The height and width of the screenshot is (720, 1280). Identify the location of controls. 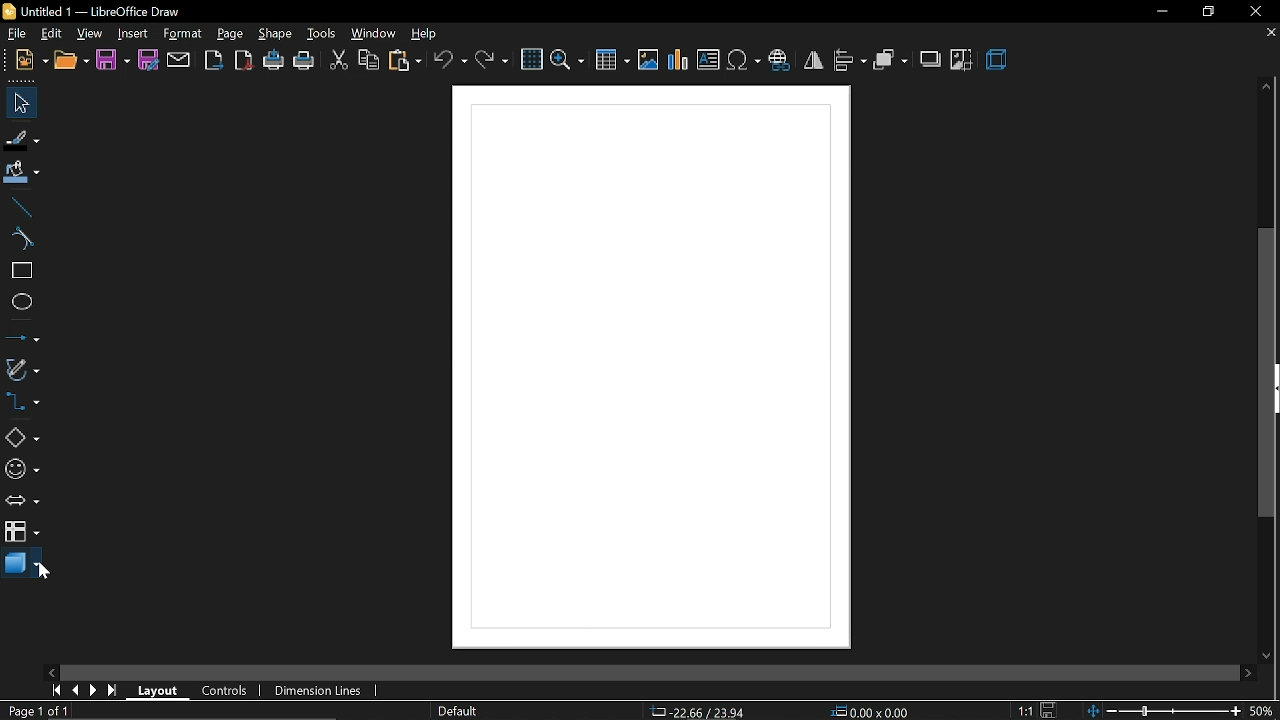
(227, 691).